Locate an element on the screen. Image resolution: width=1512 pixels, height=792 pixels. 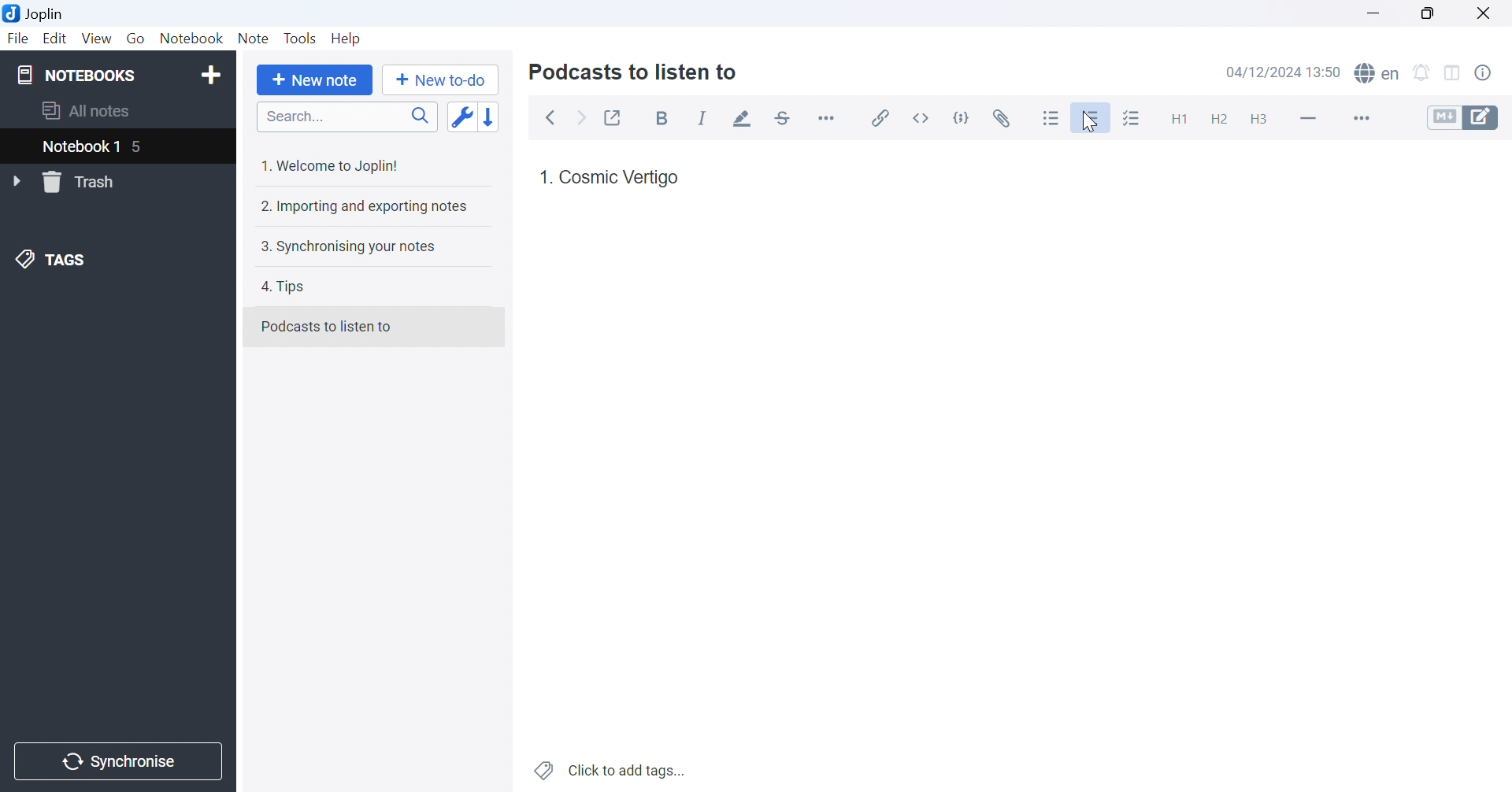
Horizontal is located at coordinates (828, 117).